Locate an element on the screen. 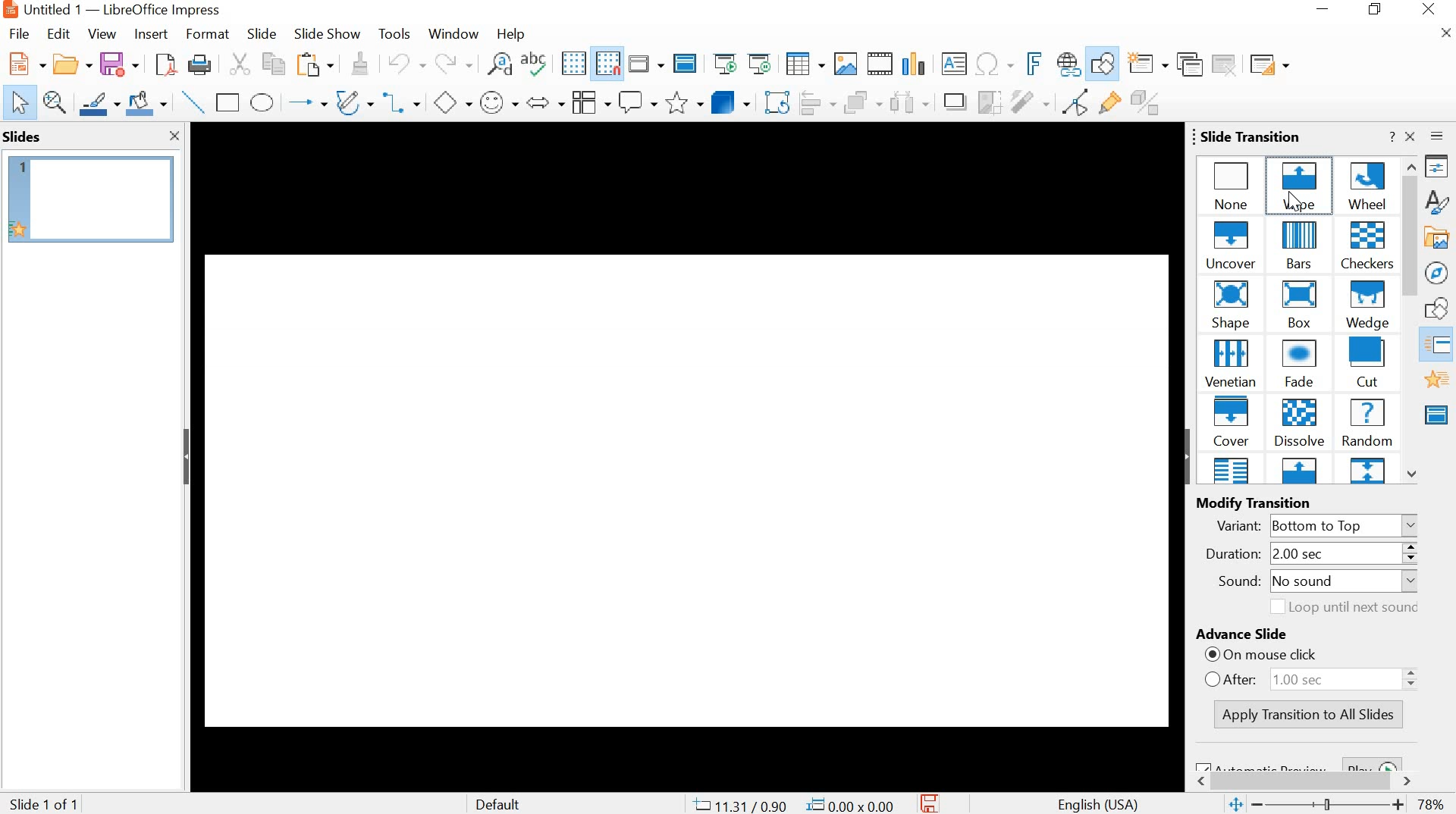 This screenshot has width=1456, height=814. cursor is located at coordinates (1289, 202).